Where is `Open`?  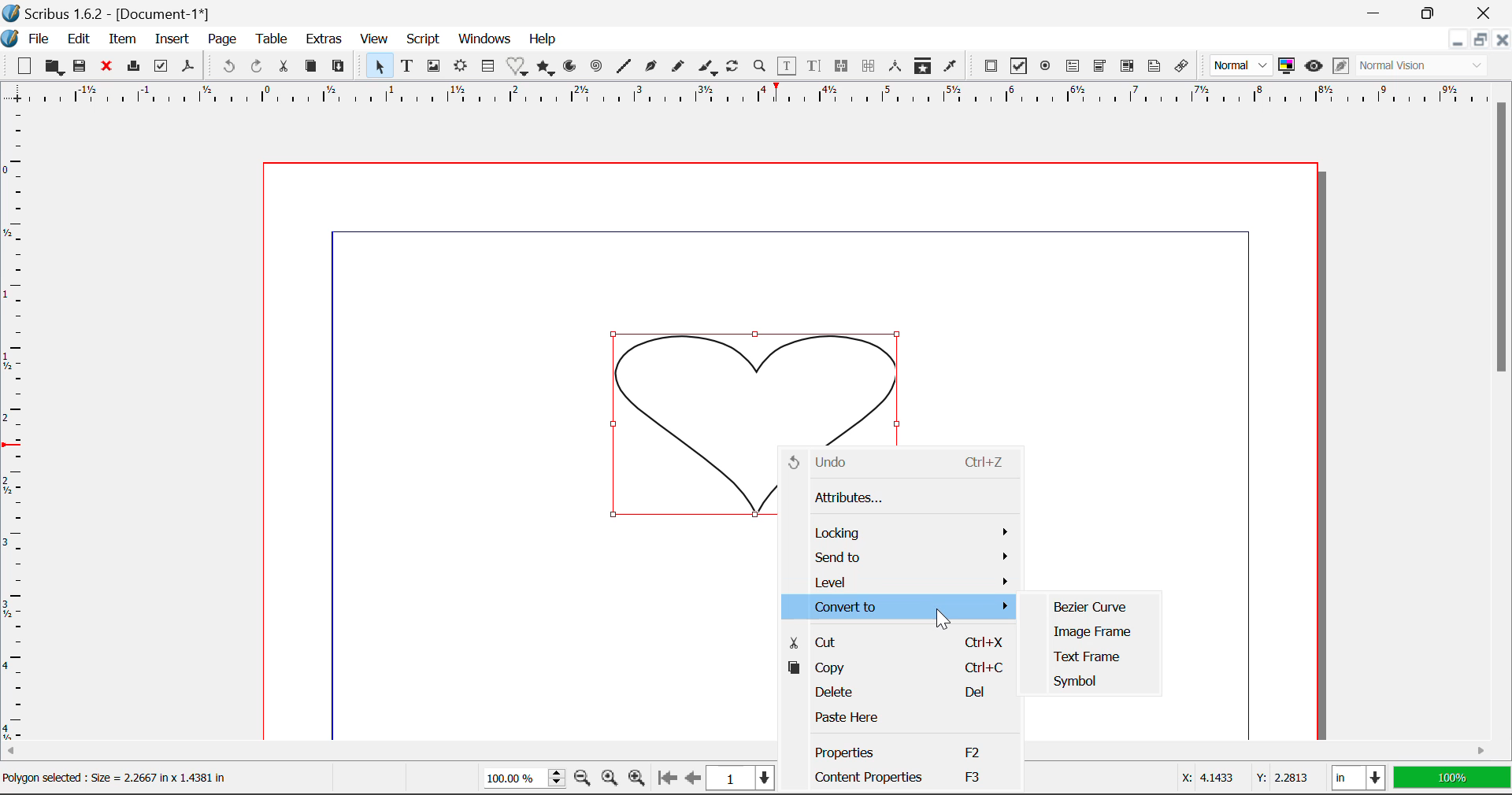
Open is located at coordinates (55, 67).